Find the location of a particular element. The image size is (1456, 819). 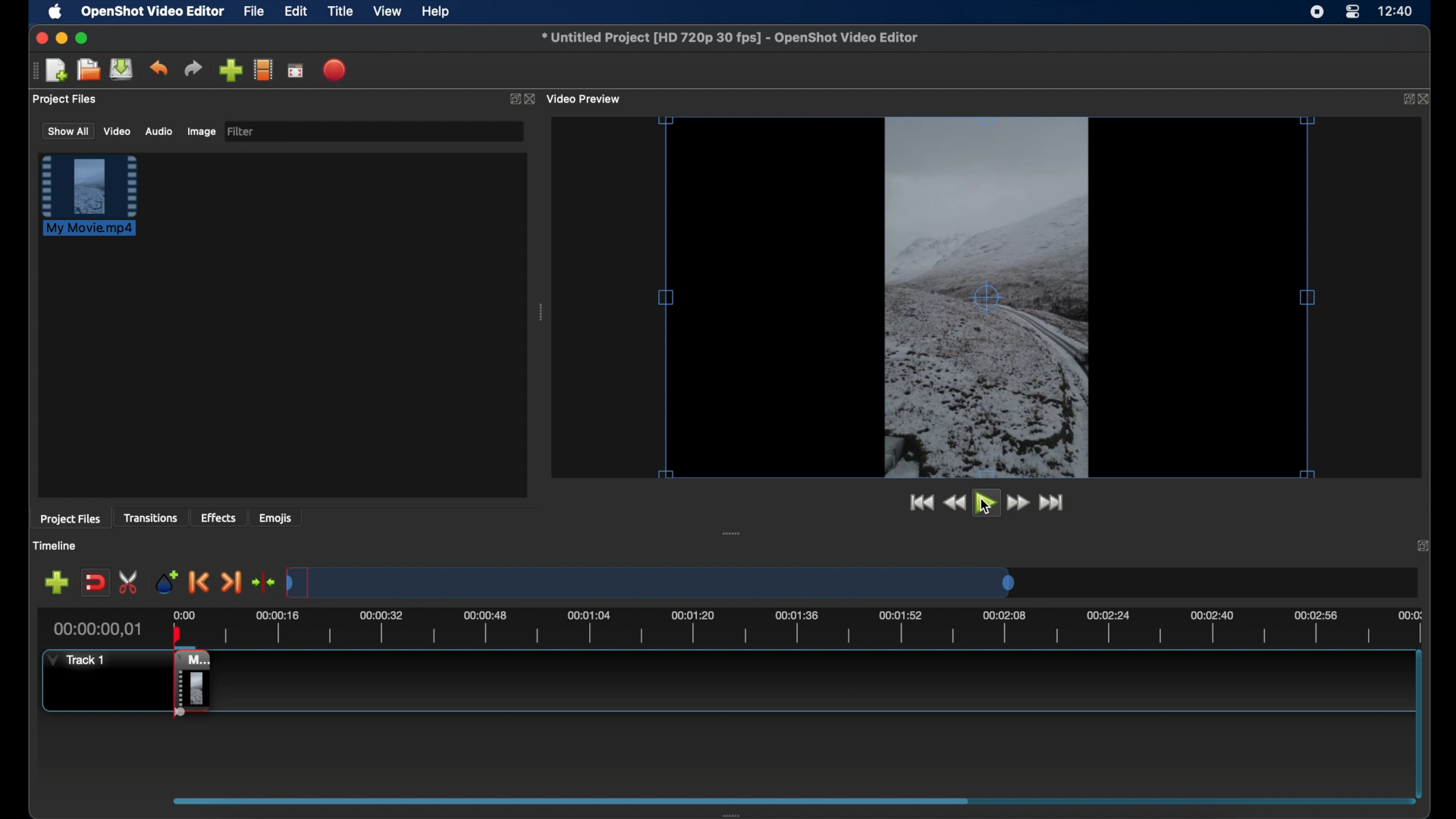

scroll box is located at coordinates (571, 800).